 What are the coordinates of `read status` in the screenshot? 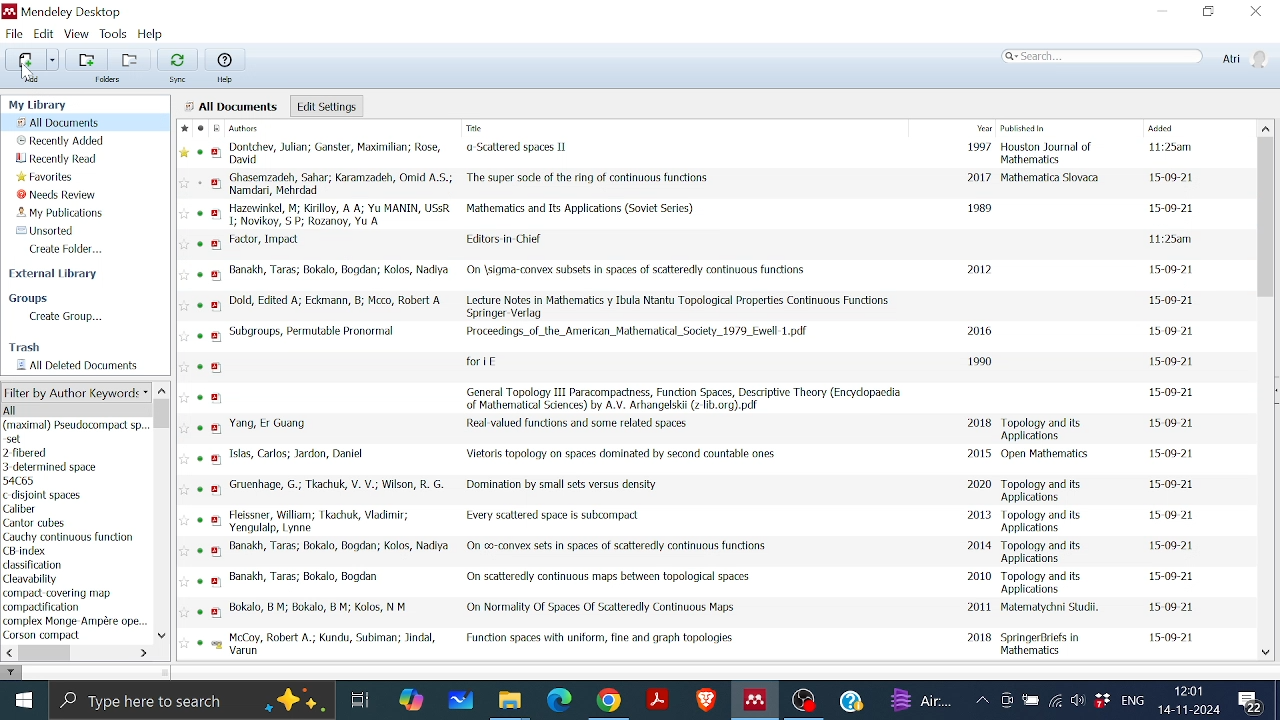 It's located at (204, 520).